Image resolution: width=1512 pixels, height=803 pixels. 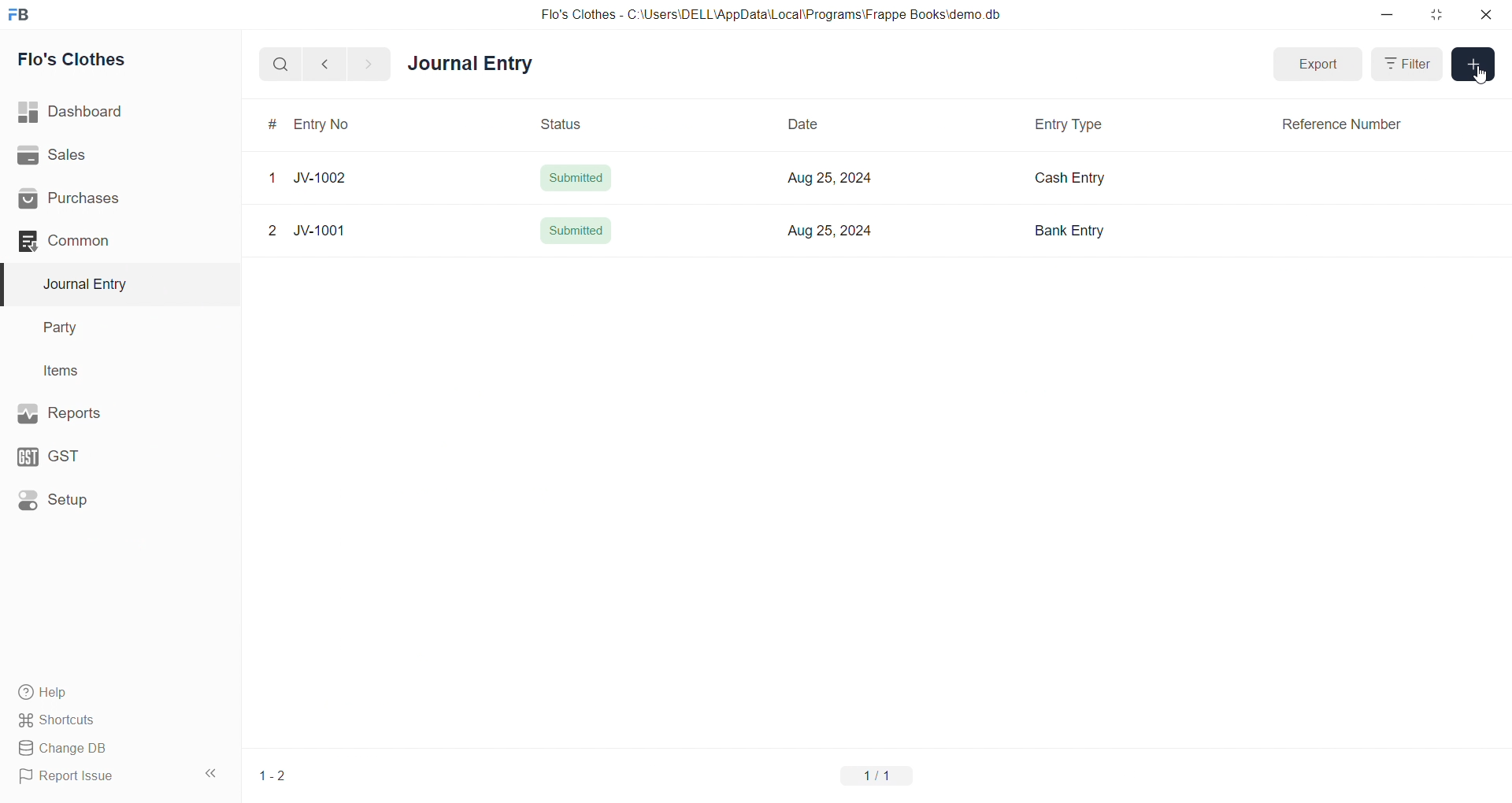 What do you see at coordinates (213, 776) in the screenshot?
I see `Collapse sidebar` at bounding box center [213, 776].